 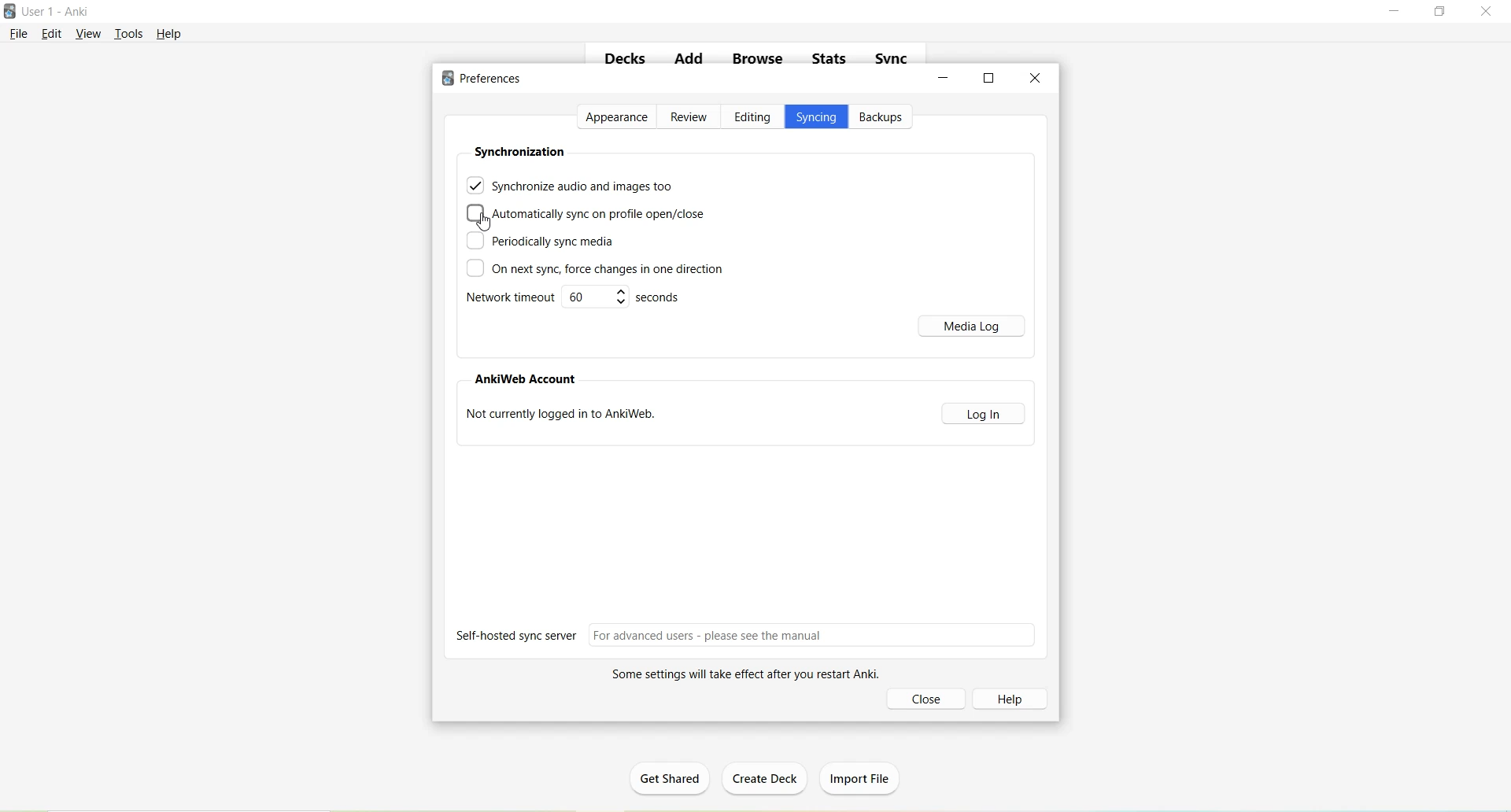 What do you see at coordinates (1015, 698) in the screenshot?
I see `Help` at bounding box center [1015, 698].